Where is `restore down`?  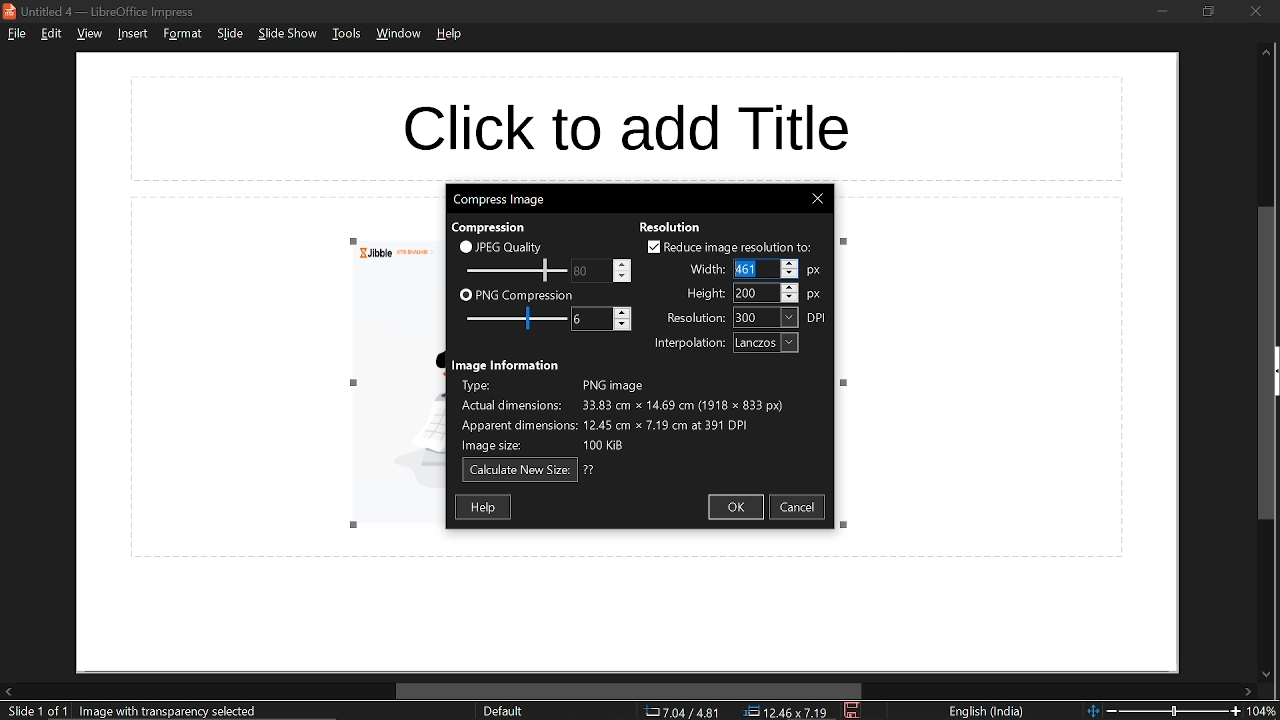 restore down is located at coordinates (1210, 12).